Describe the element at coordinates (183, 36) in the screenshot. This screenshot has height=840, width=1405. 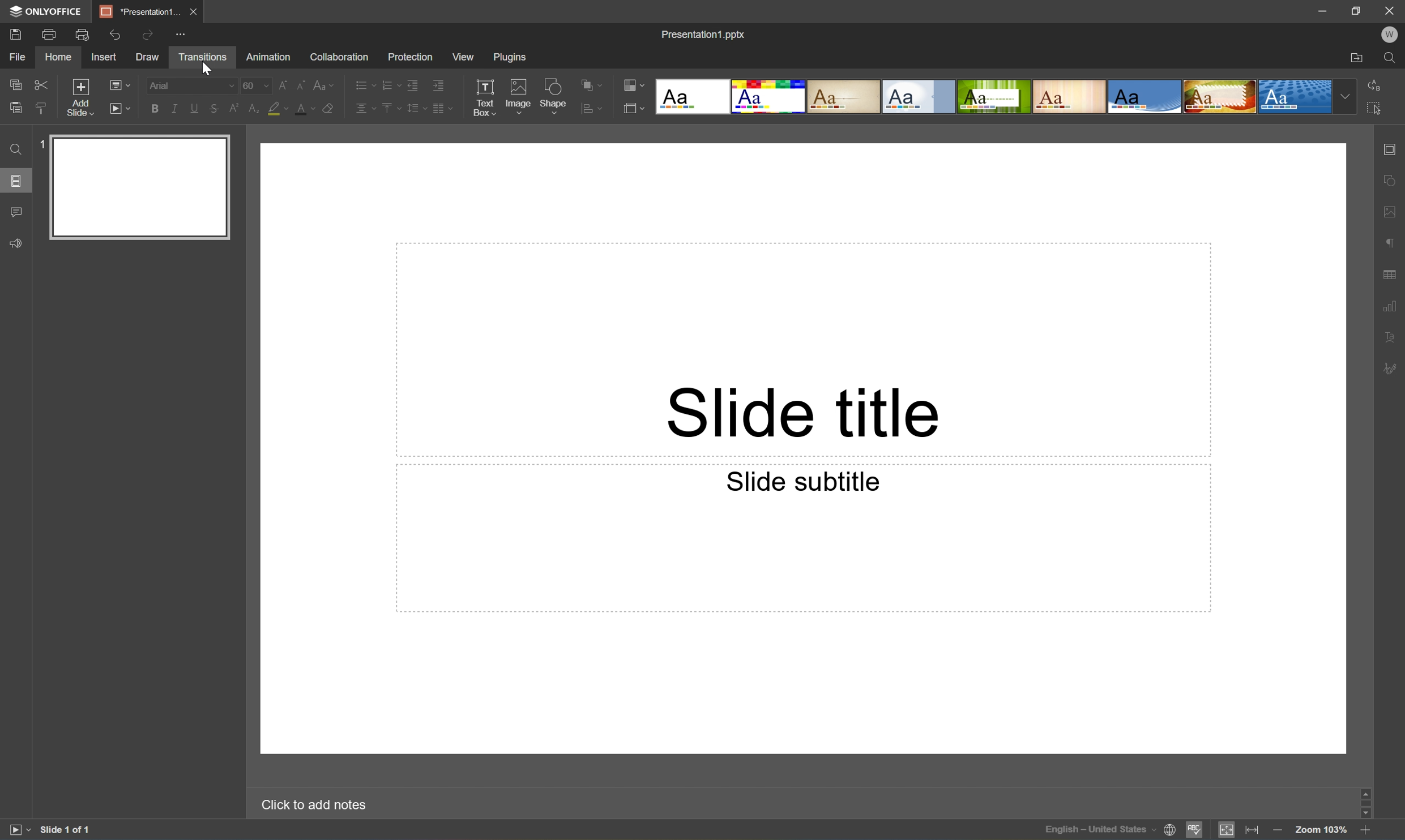
I see `Customize quick access toolbar` at that location.